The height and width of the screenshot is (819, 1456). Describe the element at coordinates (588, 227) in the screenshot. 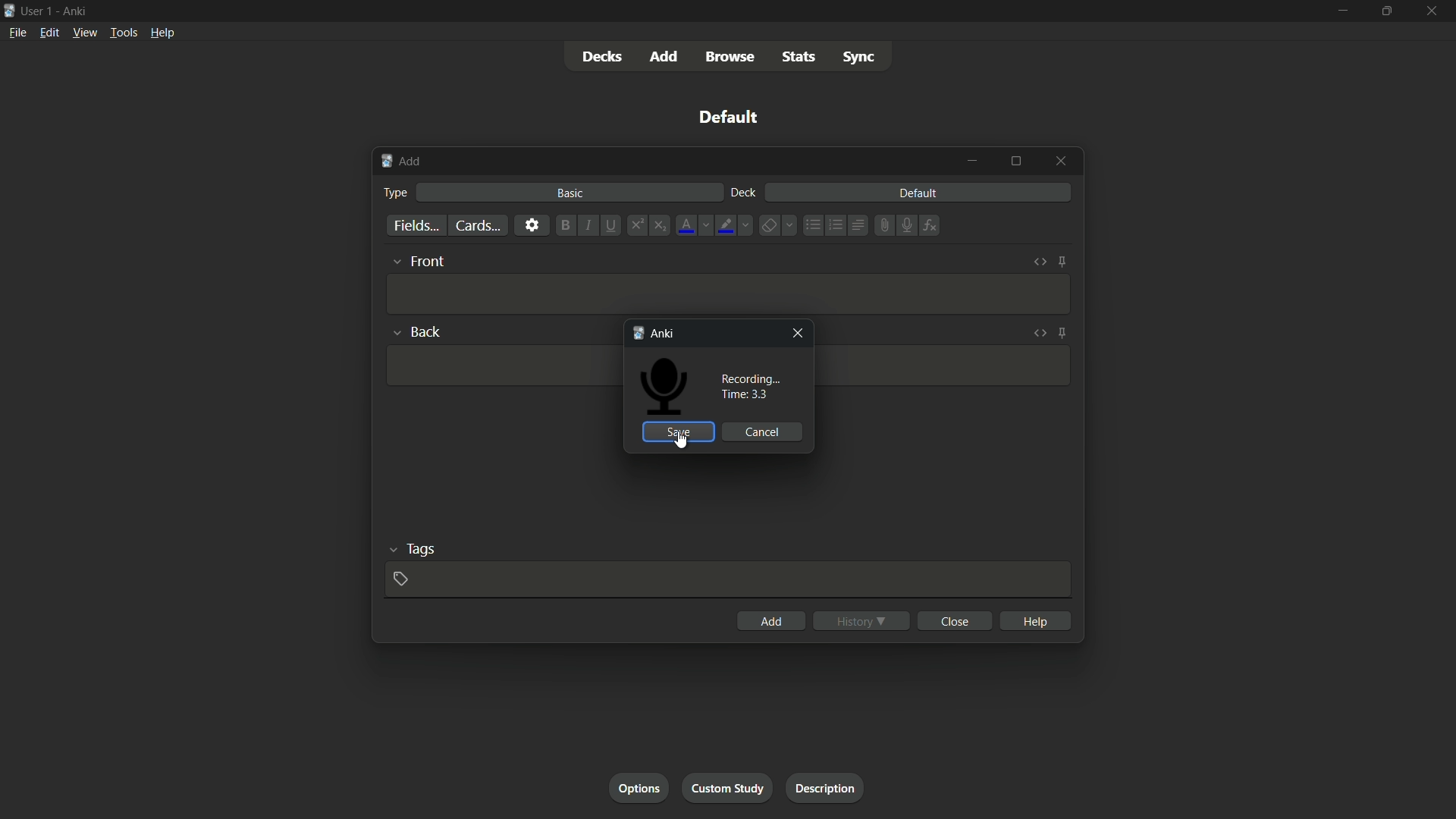

I see `italic` at that location.